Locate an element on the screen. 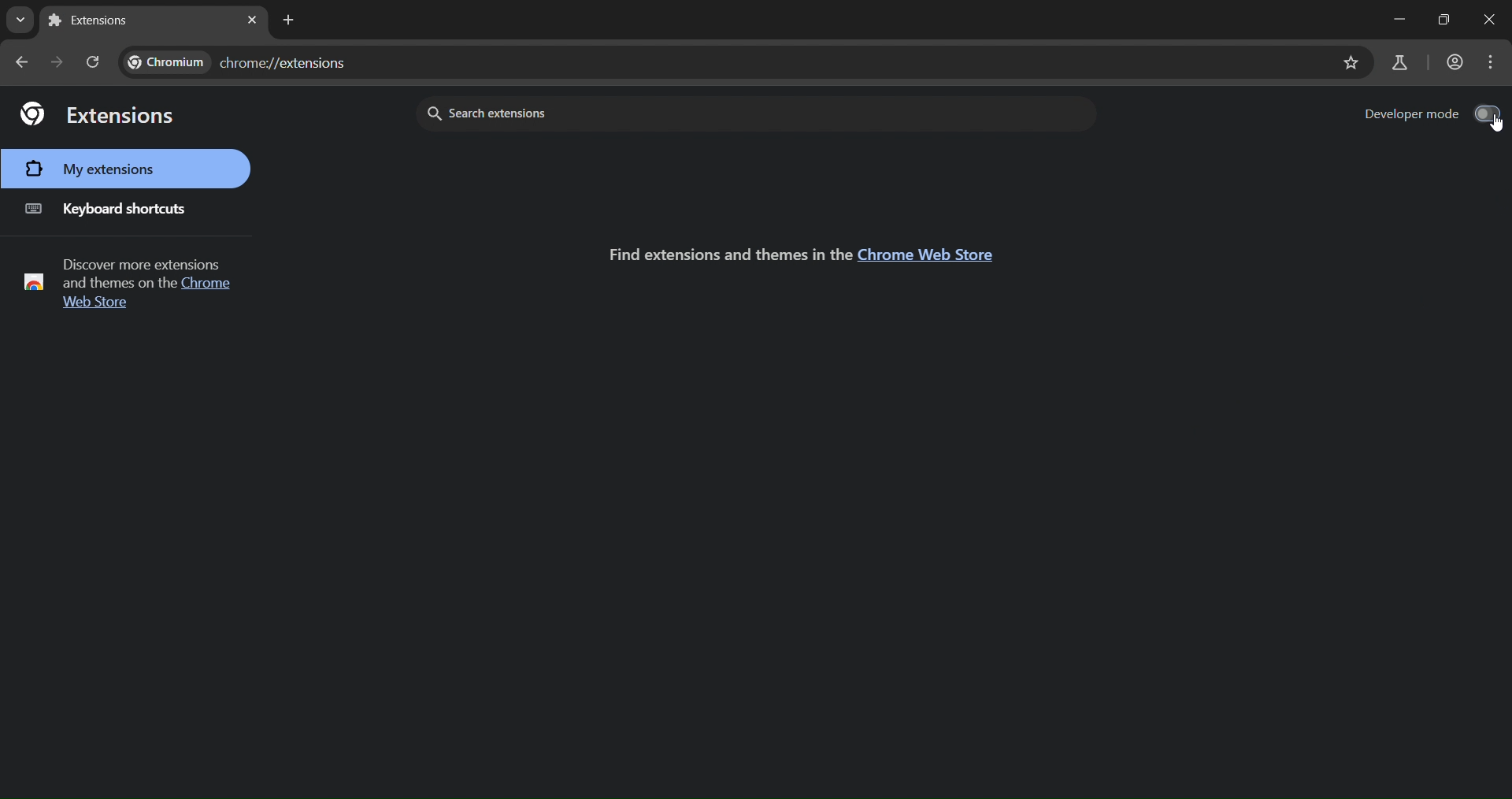  extensions is located at coordinates (99, 115).